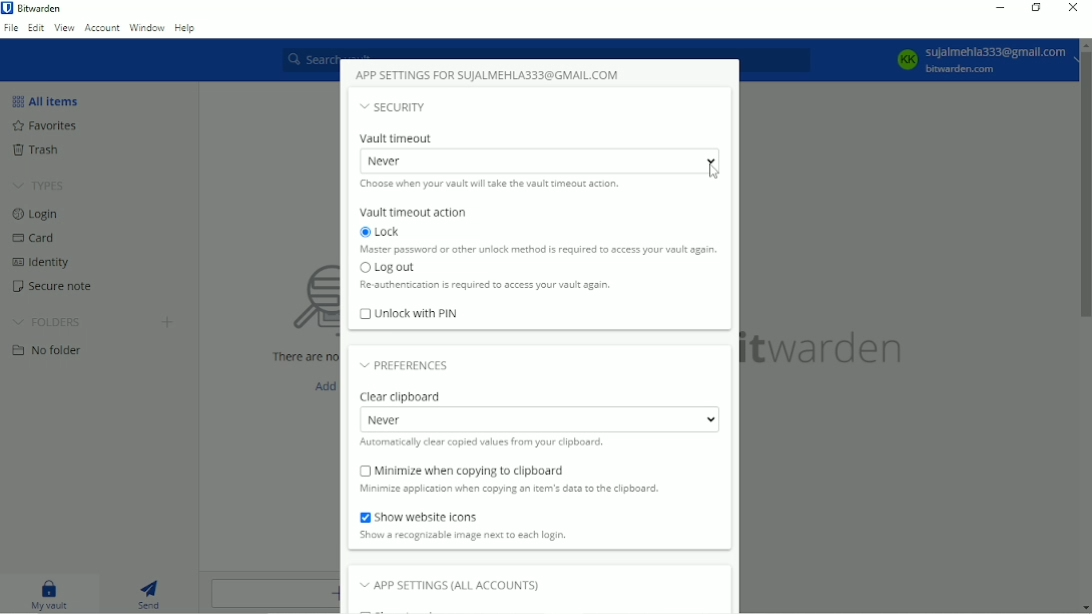  I want to click on KK sujalmehla333@gmail.com     bitwarden.com, so click(980, 60).